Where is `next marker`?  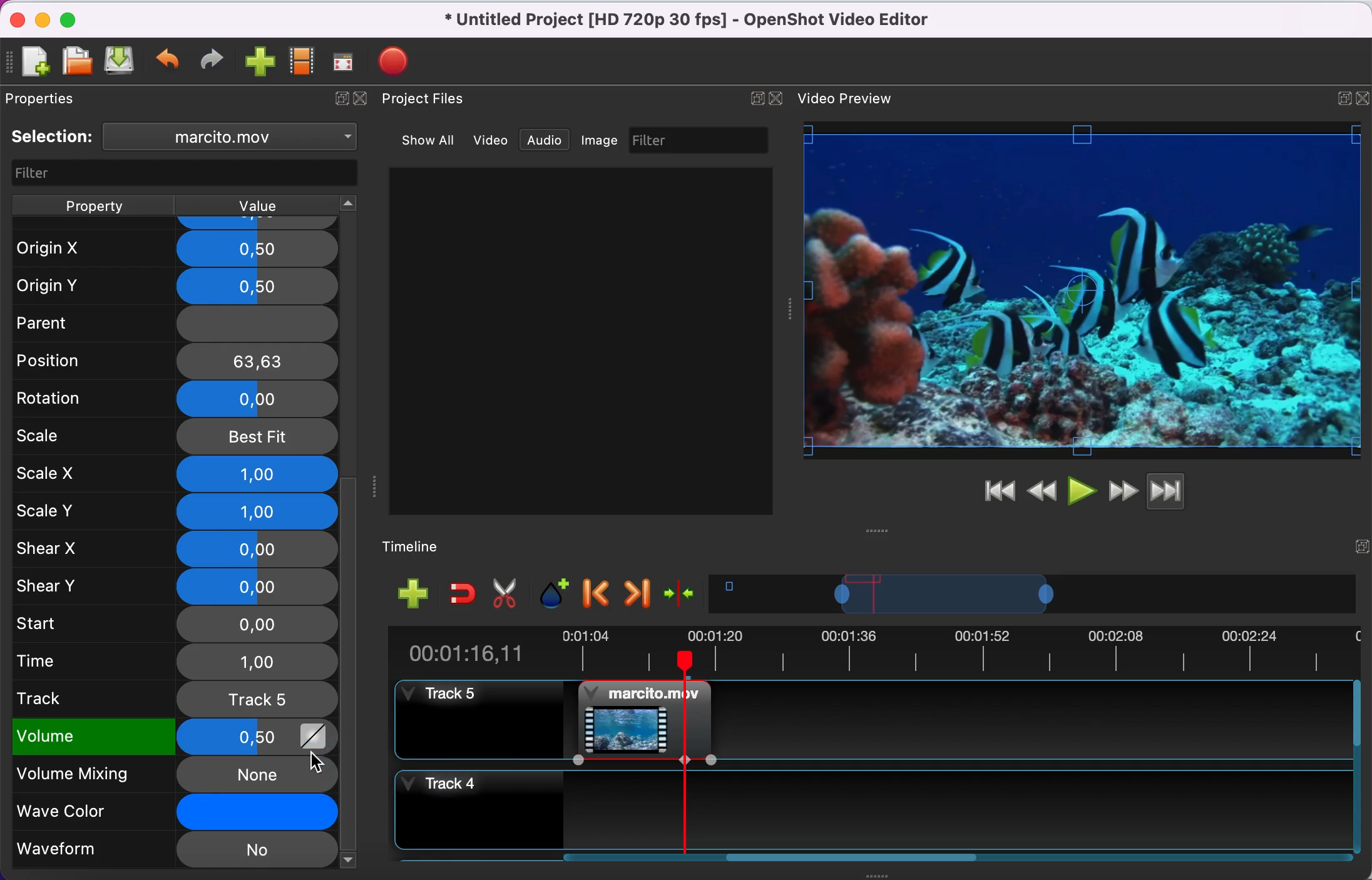
next marker is located at coordinates (637, 594).